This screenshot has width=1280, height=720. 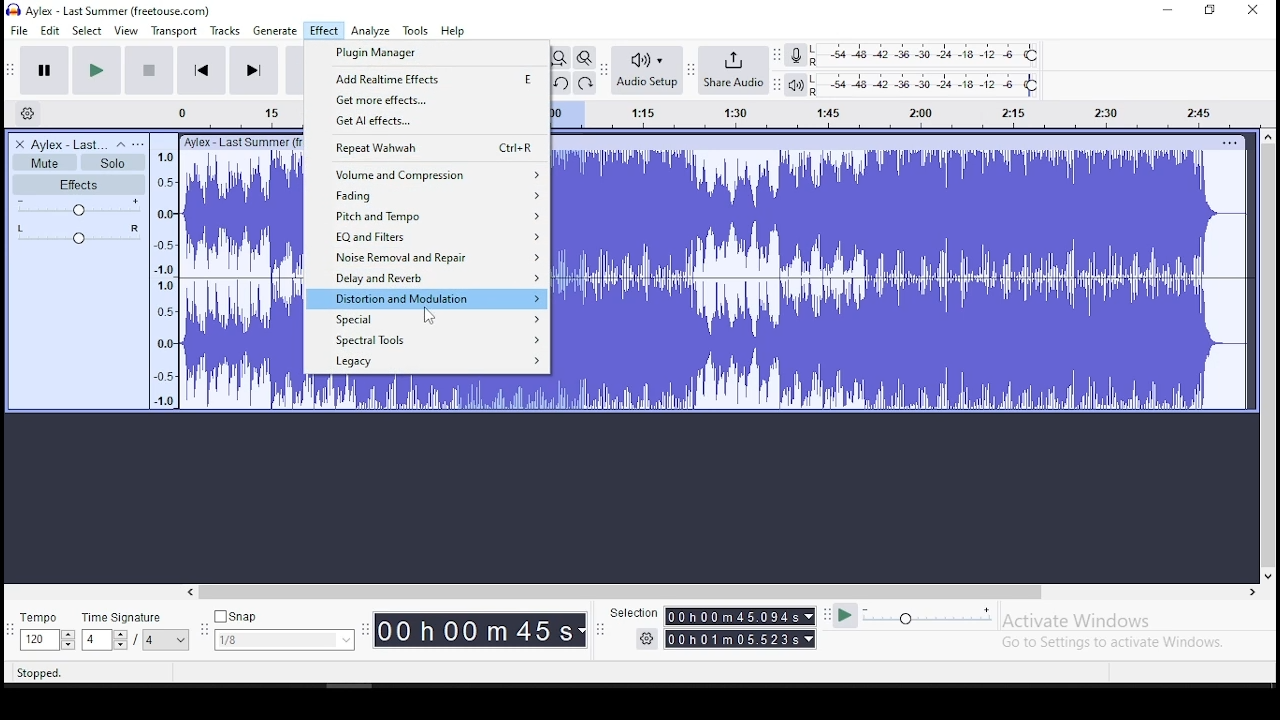 What do you see at coordinates (425, 216) in the screenshot?
I see `pitch and tempo` at bounding box center [425, 216].